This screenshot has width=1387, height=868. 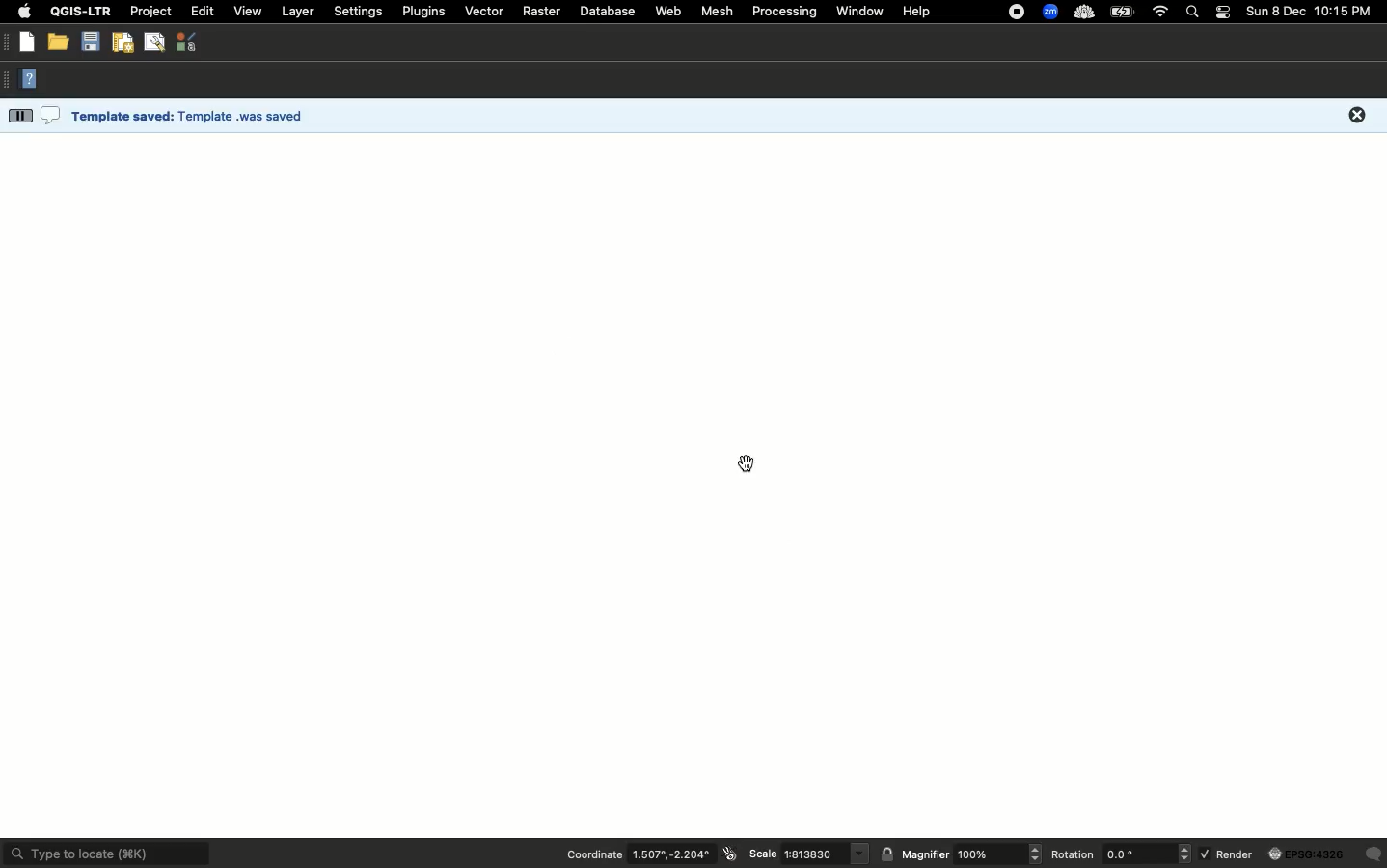 I want to click on Recording, so click(x=1015, y=12).